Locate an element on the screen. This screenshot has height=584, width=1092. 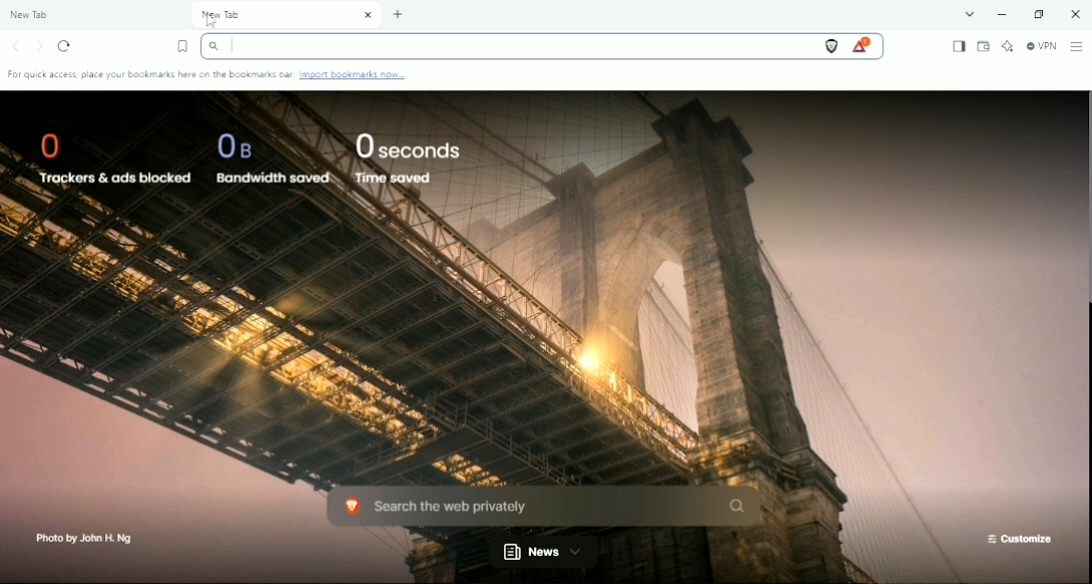
0 Trackers & ads blocked is located at coordinates (112, 157).